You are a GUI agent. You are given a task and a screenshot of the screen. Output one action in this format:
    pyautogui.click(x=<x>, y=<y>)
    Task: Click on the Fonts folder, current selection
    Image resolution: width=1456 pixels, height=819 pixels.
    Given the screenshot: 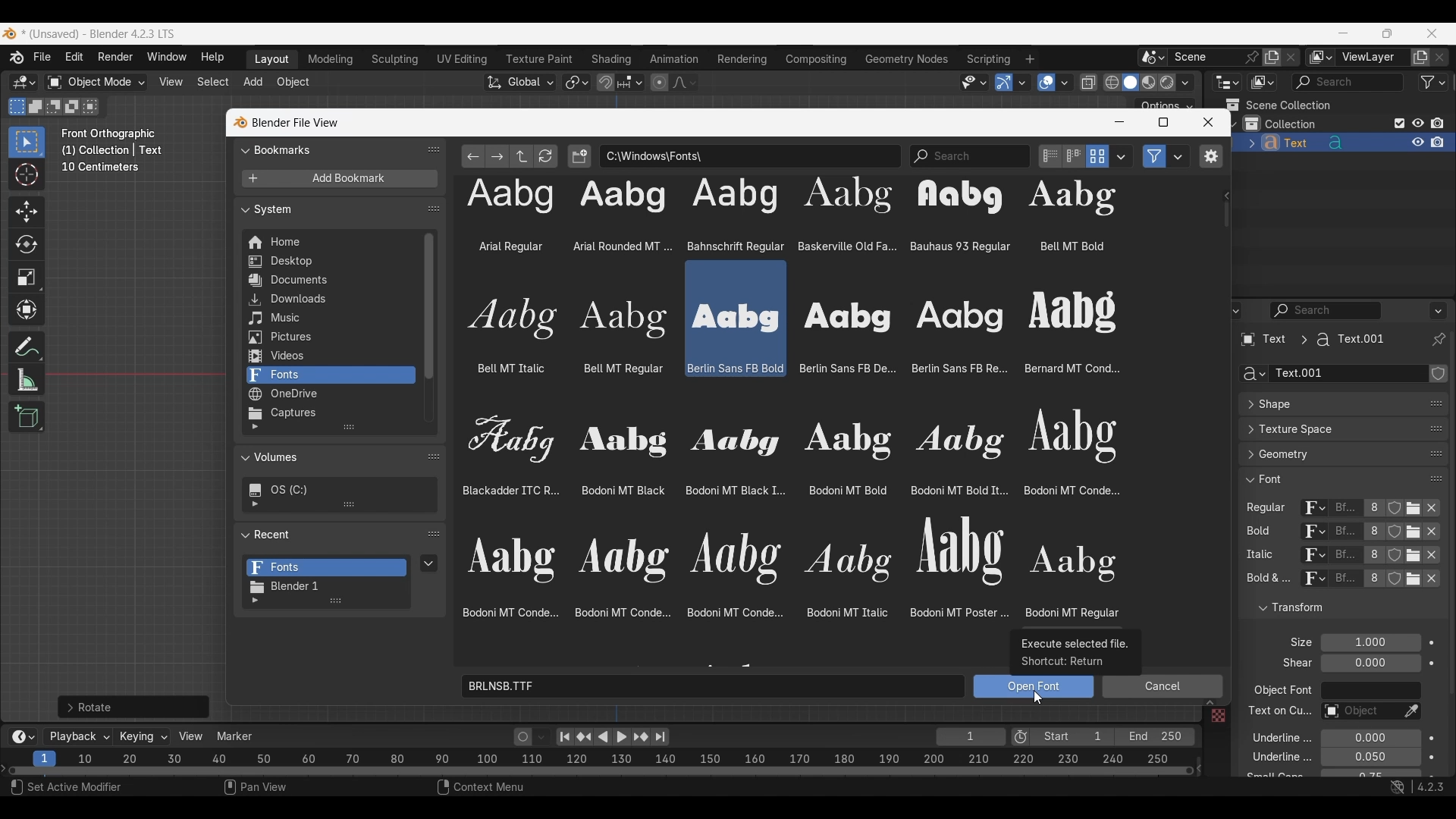 What is the action you would take?
    pyautogui.click(x=330, y=375)
    